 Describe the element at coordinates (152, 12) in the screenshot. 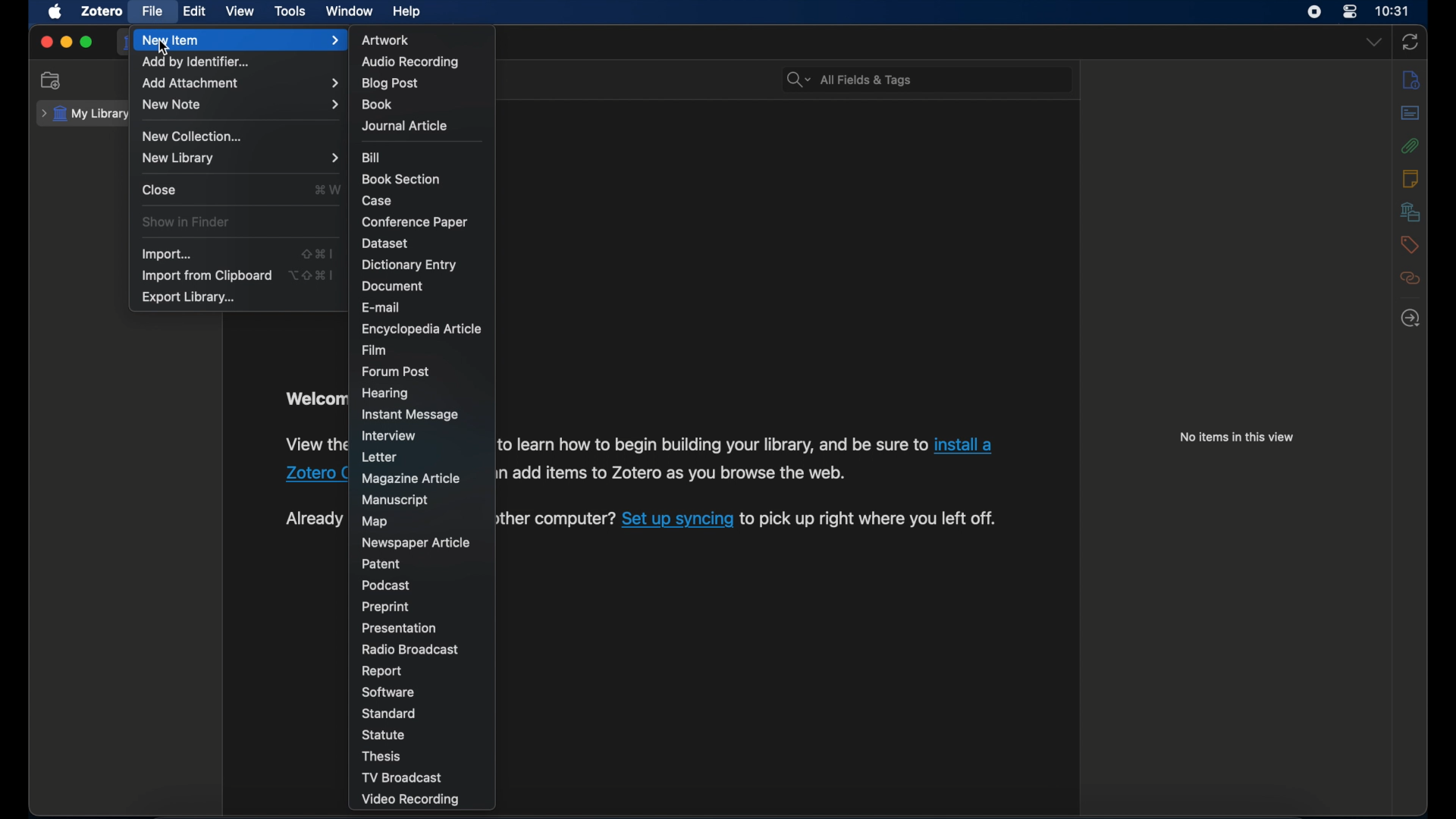

I see `file` at that location.